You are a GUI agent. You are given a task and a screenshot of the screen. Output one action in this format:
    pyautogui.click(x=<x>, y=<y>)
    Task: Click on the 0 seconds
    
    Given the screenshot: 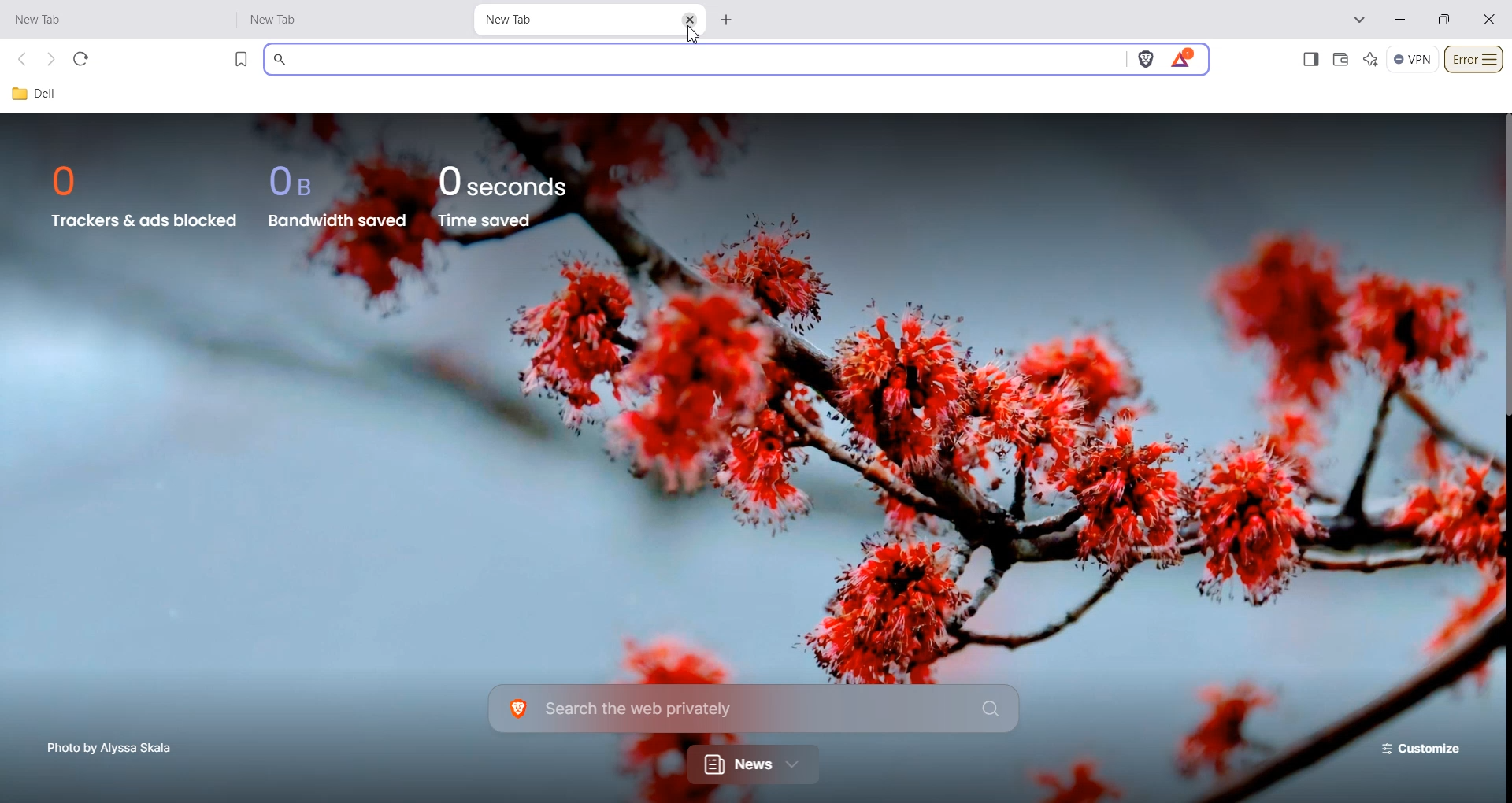 What is the action you would take?
    pyautogui.click(x=513, y=179)
    